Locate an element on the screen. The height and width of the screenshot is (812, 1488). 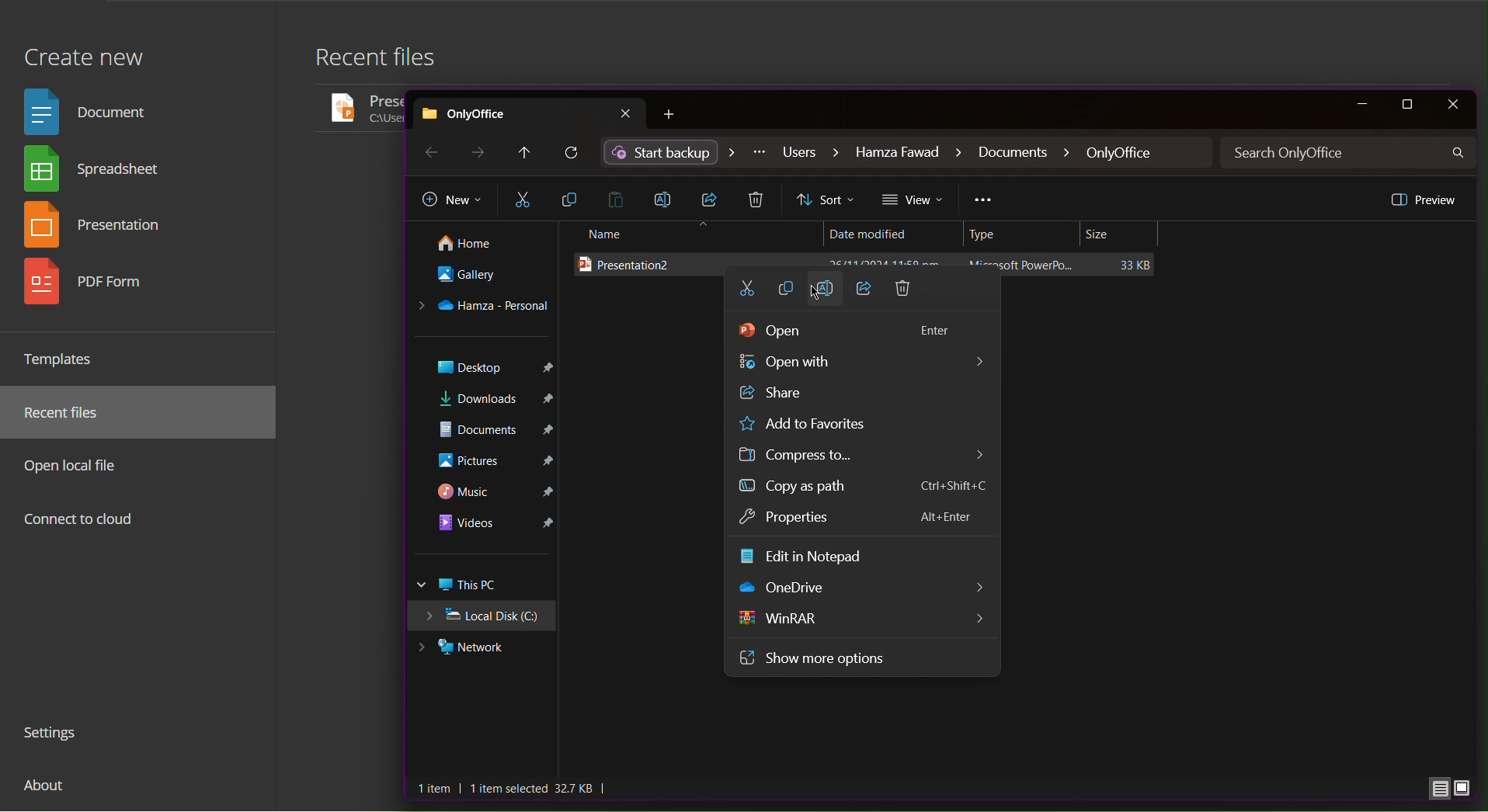
OneDrive is located at coordinates (788, 588).